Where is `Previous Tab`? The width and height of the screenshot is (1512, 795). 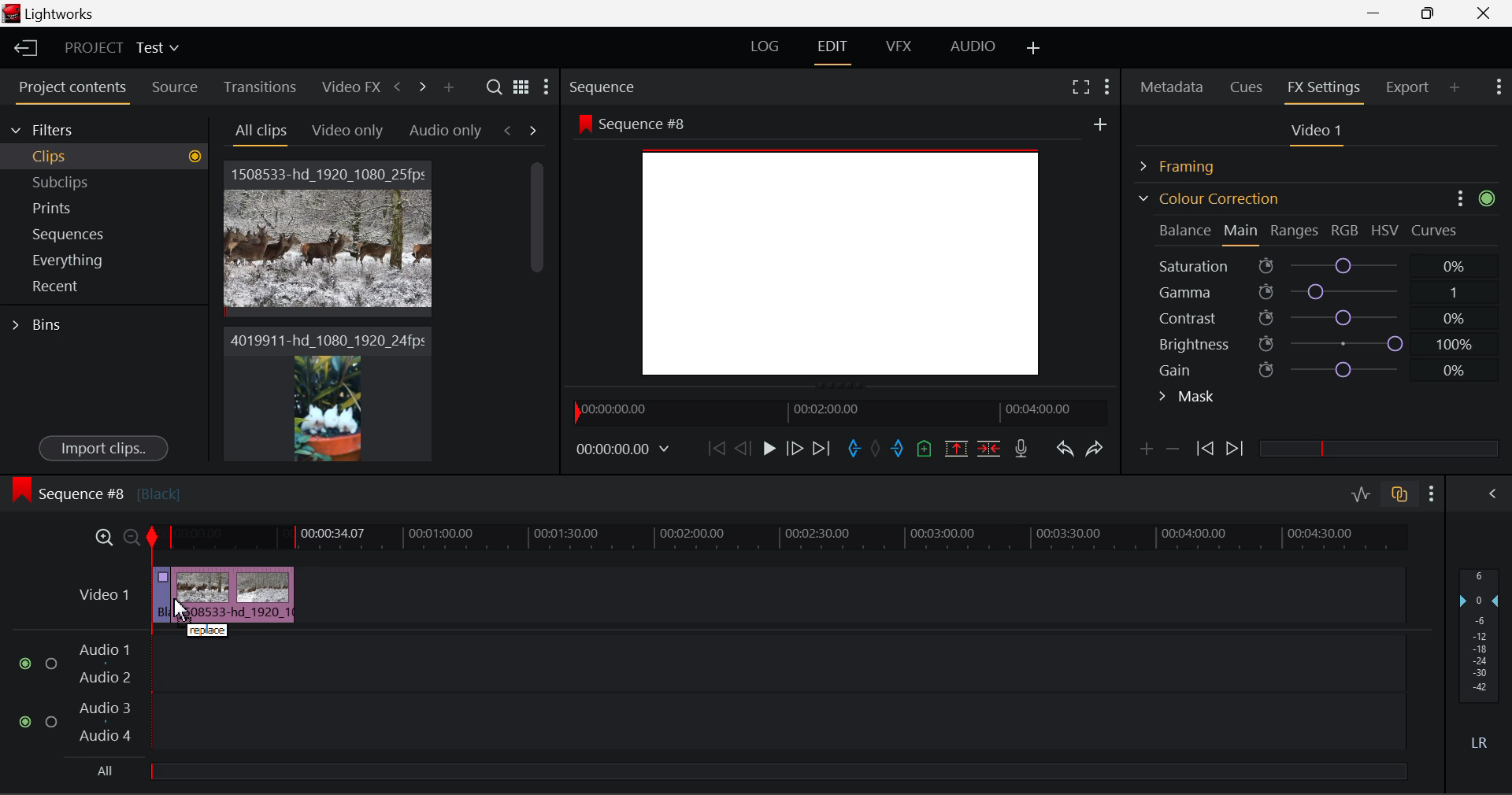
Previous Tab is located at coordinates (510, 130).